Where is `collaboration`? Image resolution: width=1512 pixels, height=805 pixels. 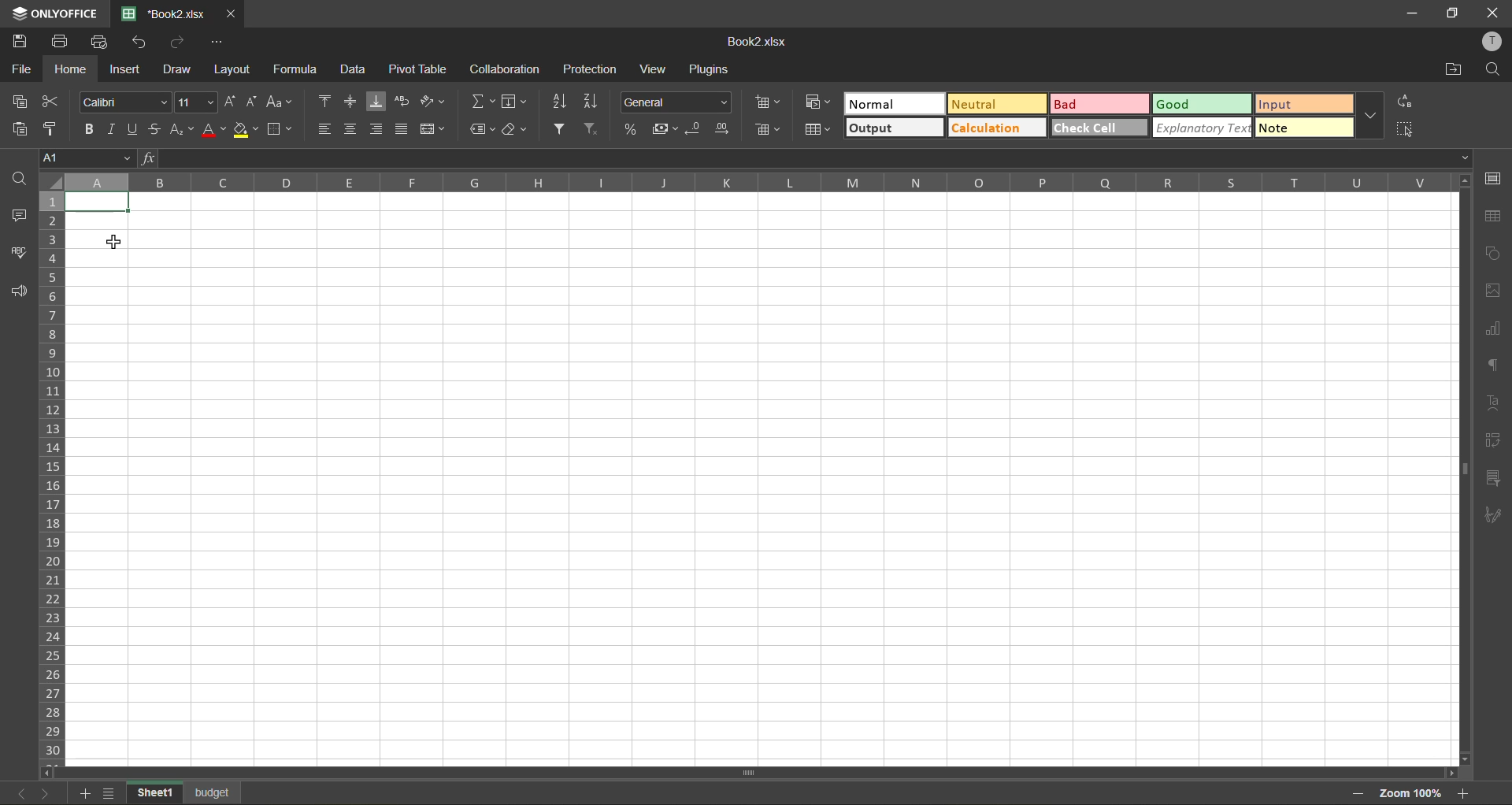
collaboration is located at coordinates (505, 69).